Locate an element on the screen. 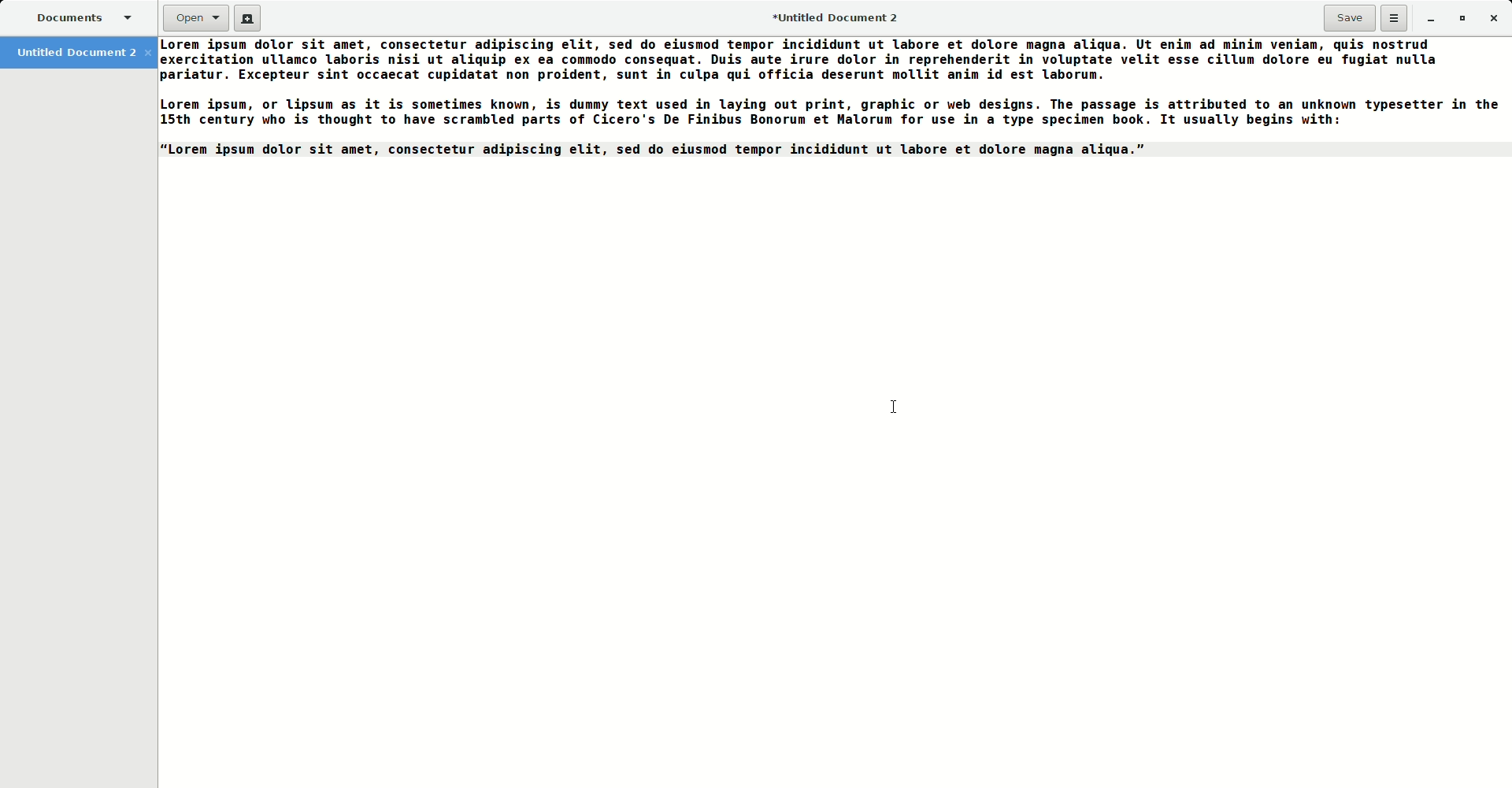 This screenshot has width=1512, height=788. Paragraphs is located at coordinates (828, 99).